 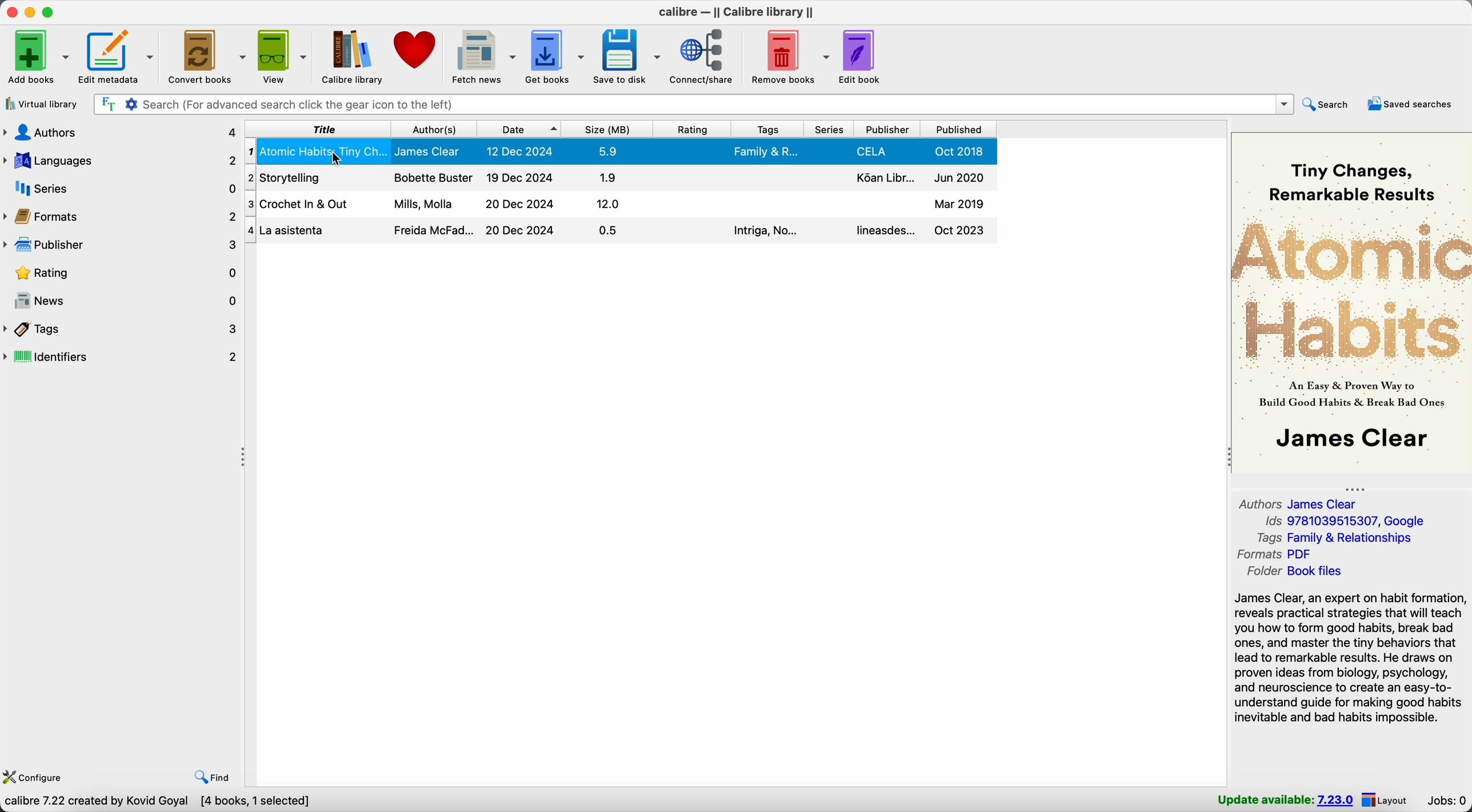 What do you see at coordinates (416, 49) in the screenshot?
I see `donate` at bounding box center [416, 49].